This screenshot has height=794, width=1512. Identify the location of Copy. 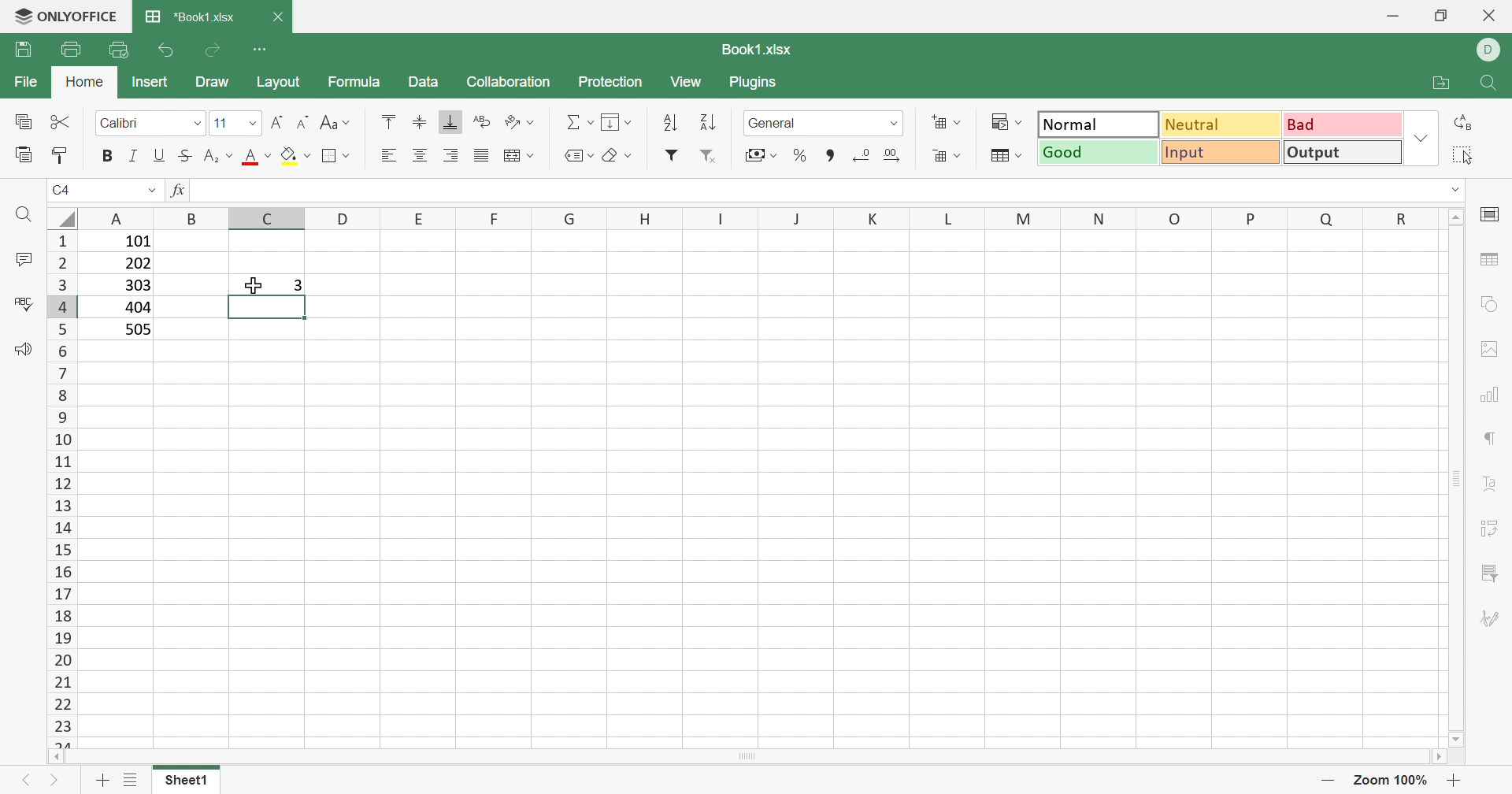
(24, 123).